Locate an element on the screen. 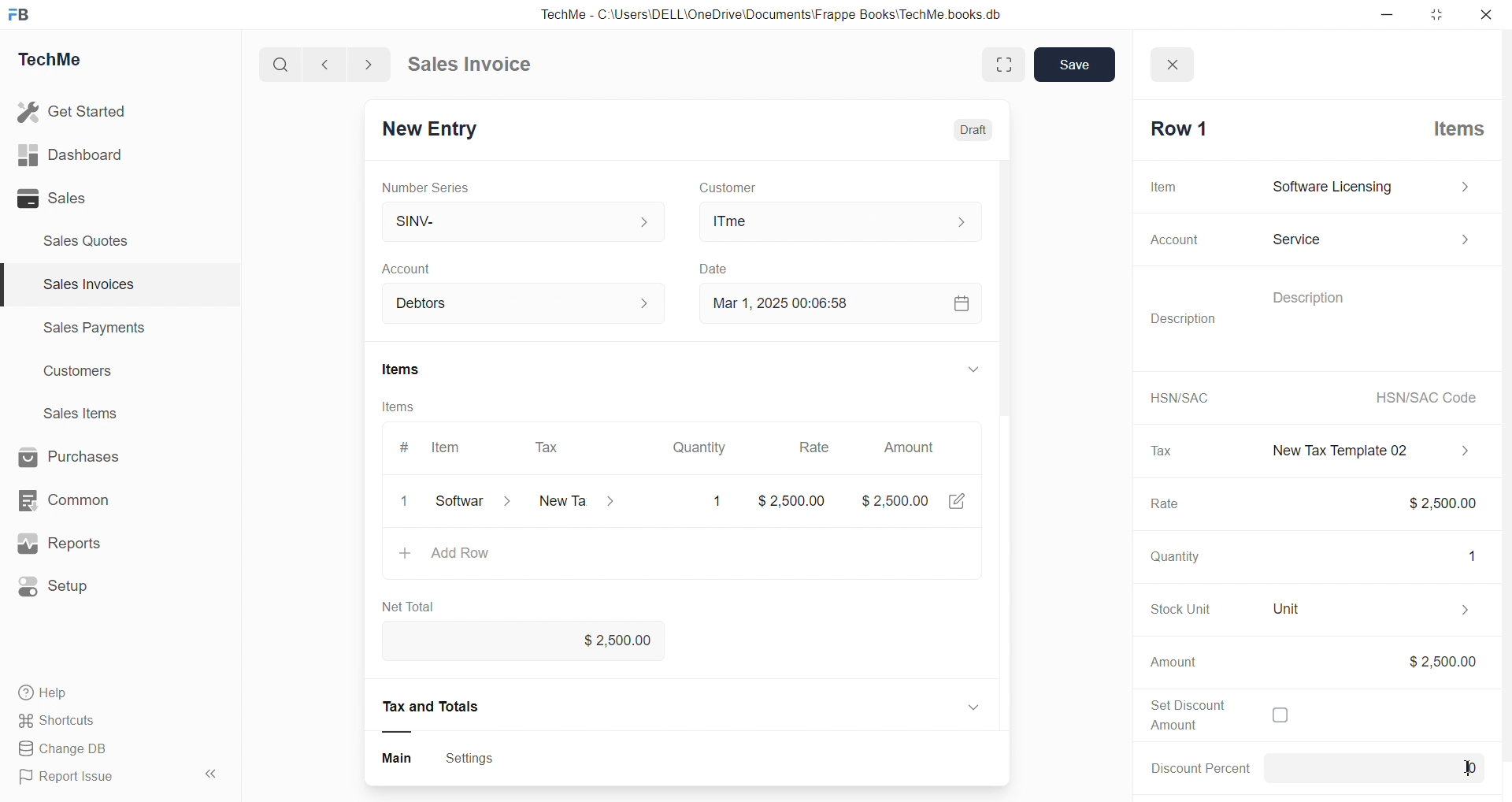 This screenshot has width=1512, height=802. Close is located at coordinates (1490, 18).